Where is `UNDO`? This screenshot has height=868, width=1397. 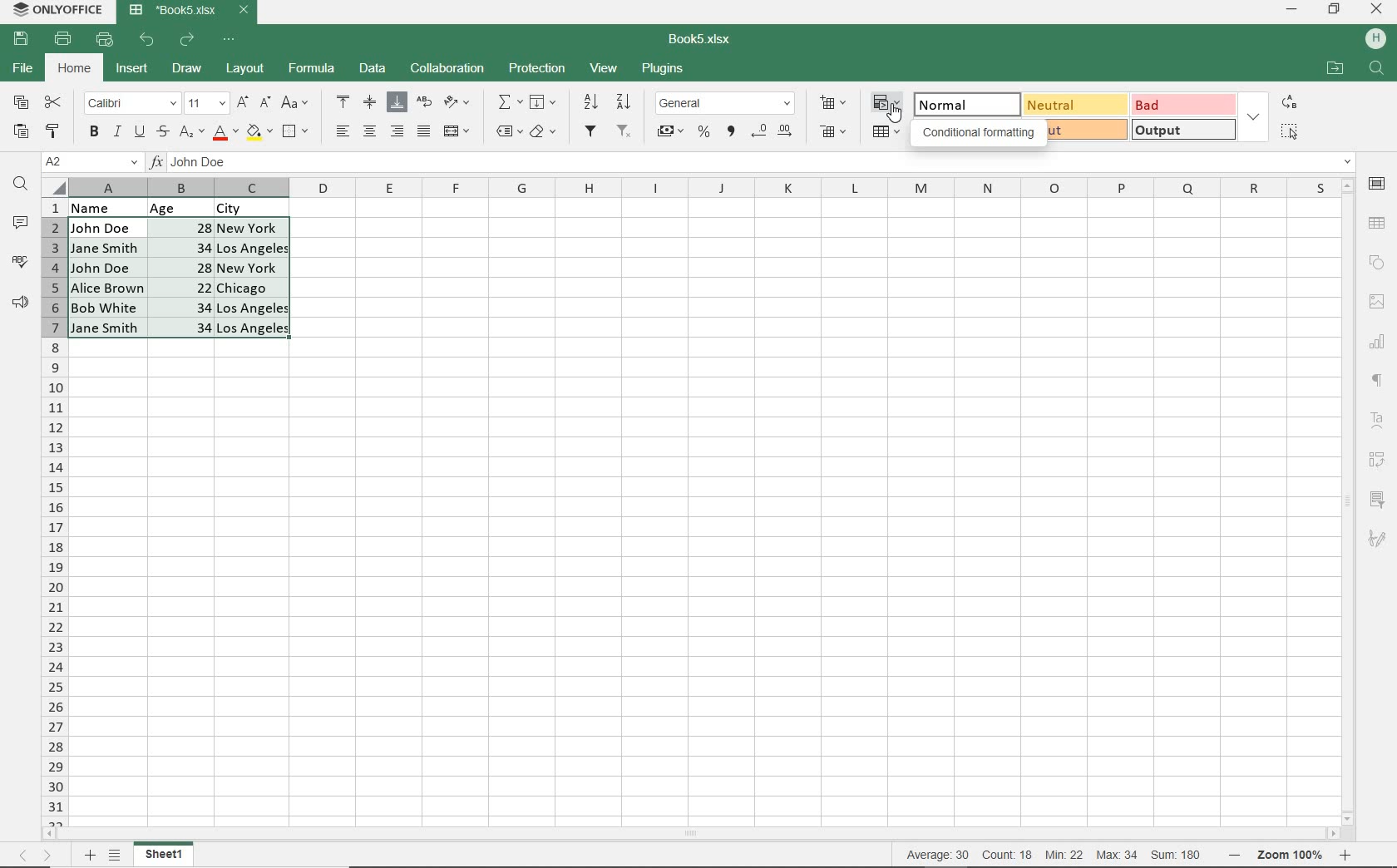 UNDO is located at coordinates (149, 40).